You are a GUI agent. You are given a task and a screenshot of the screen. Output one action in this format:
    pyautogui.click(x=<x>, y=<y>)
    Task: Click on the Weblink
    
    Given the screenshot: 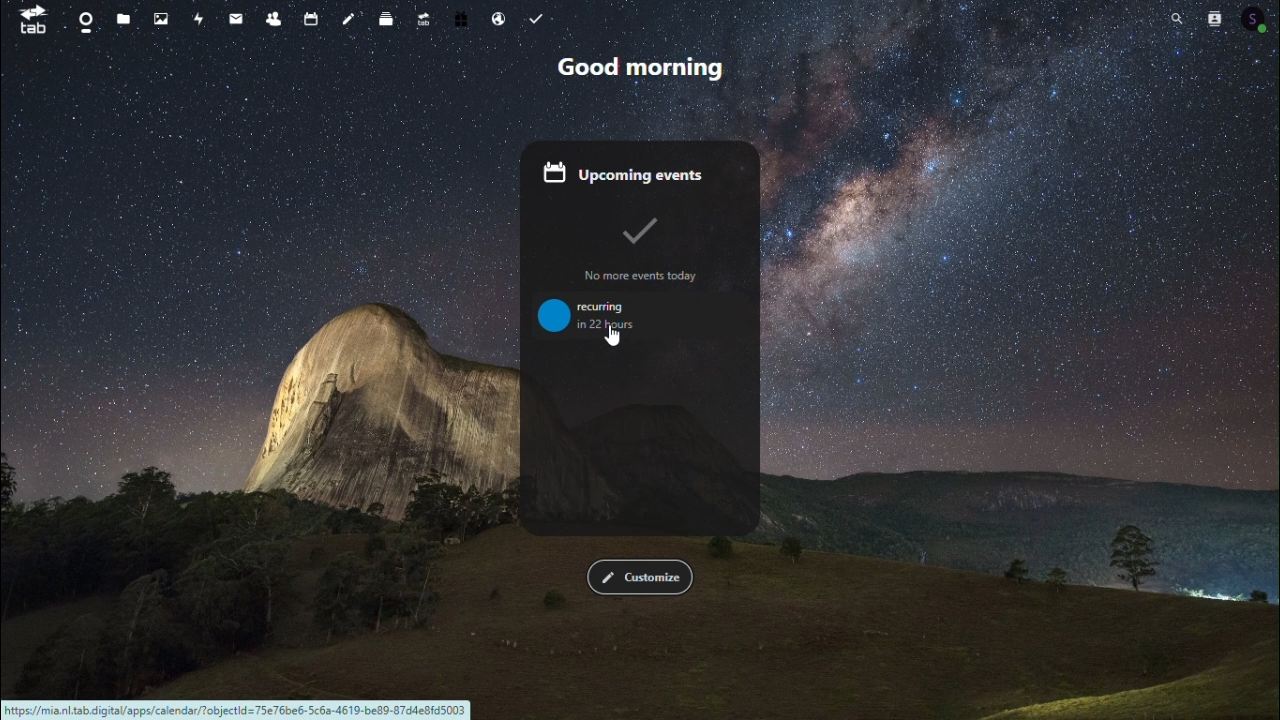 What is the action you would take?
    pyautogui.click(x=237, y=709)
    